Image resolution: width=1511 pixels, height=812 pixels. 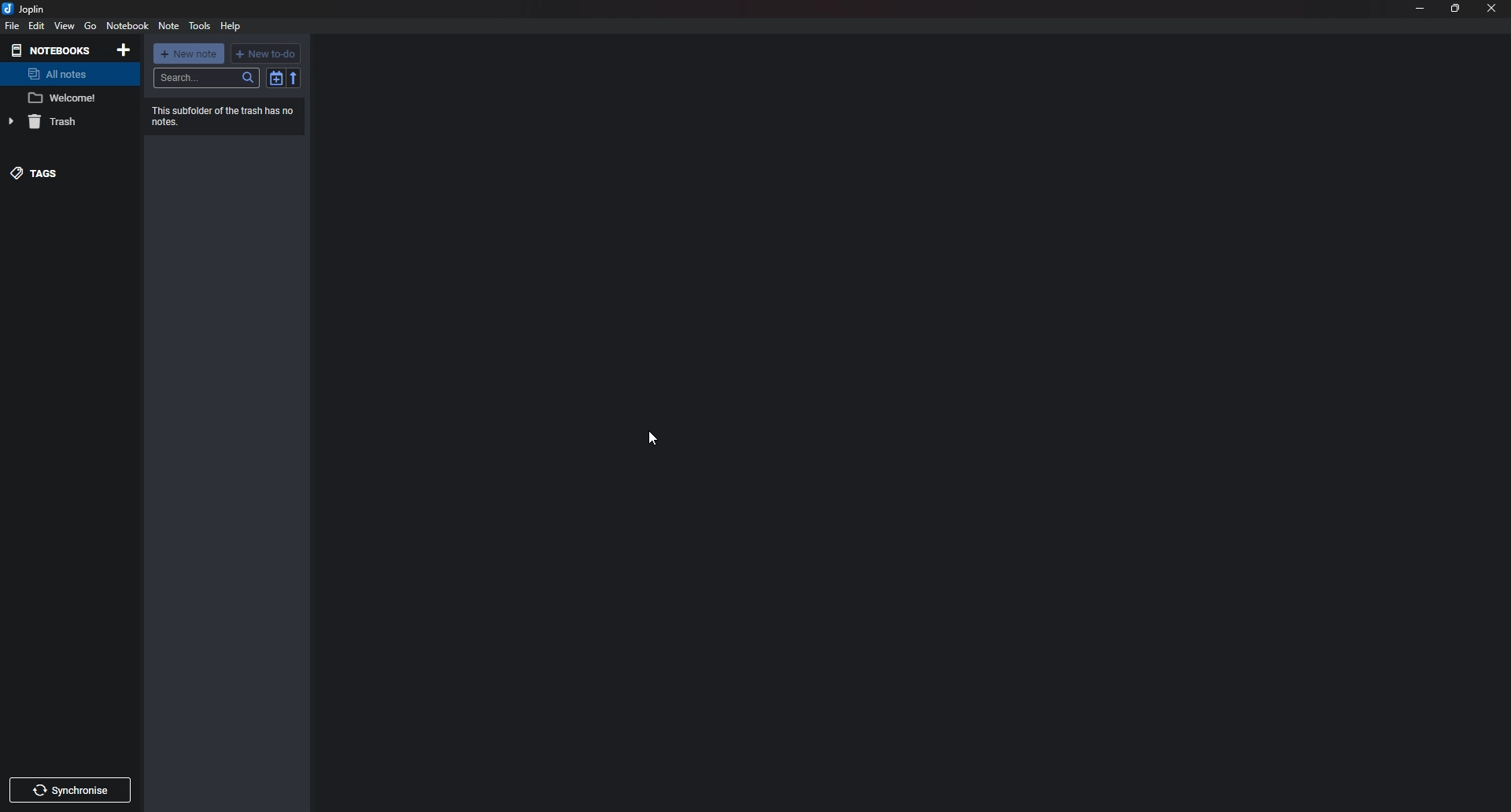 I want to click on help, so click(x=231, y=27).